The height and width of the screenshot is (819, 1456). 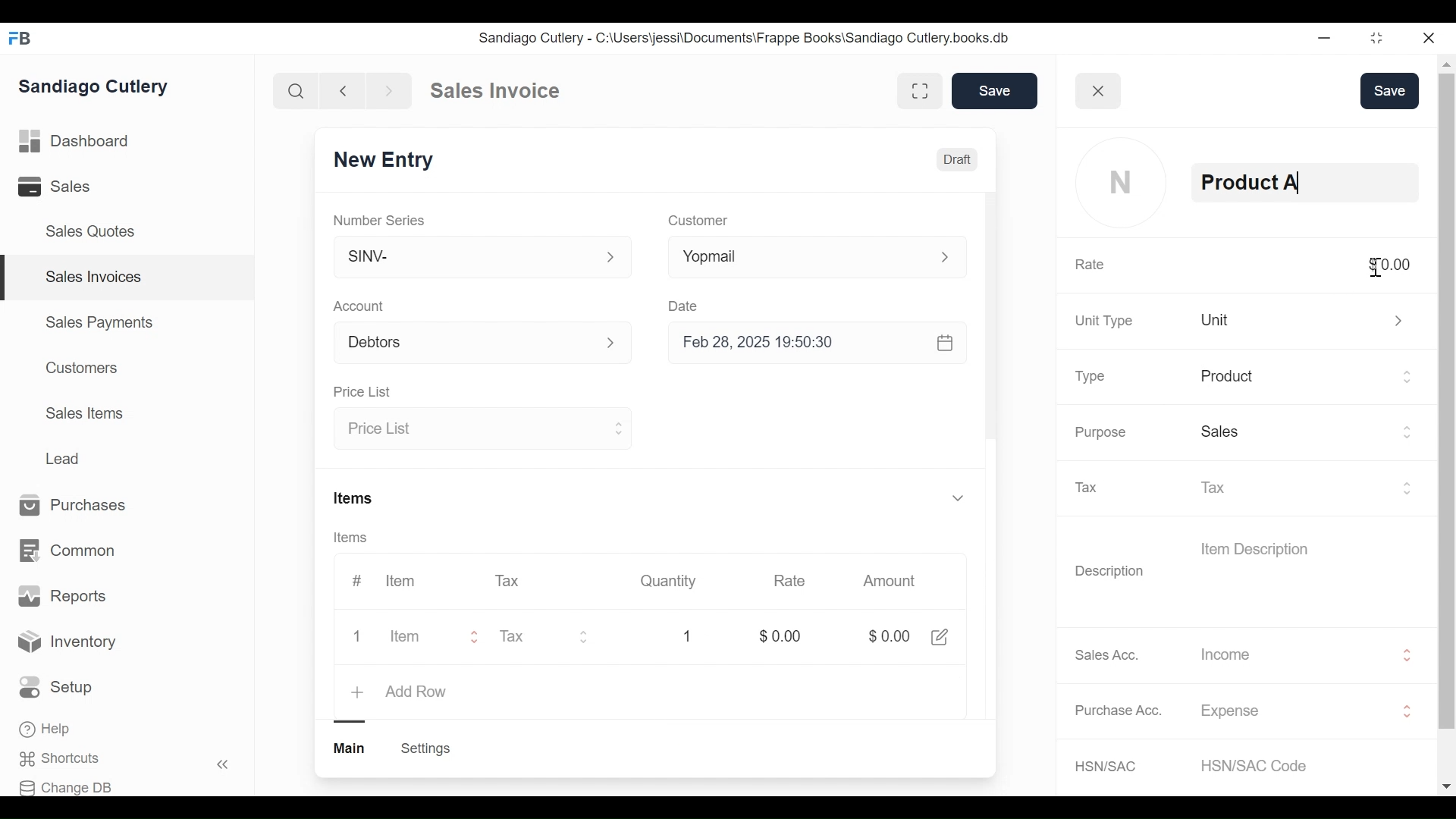 What do you see at coordinates (351, 748) in the screenshot?
I see `main` at bounding box center [351, 748].